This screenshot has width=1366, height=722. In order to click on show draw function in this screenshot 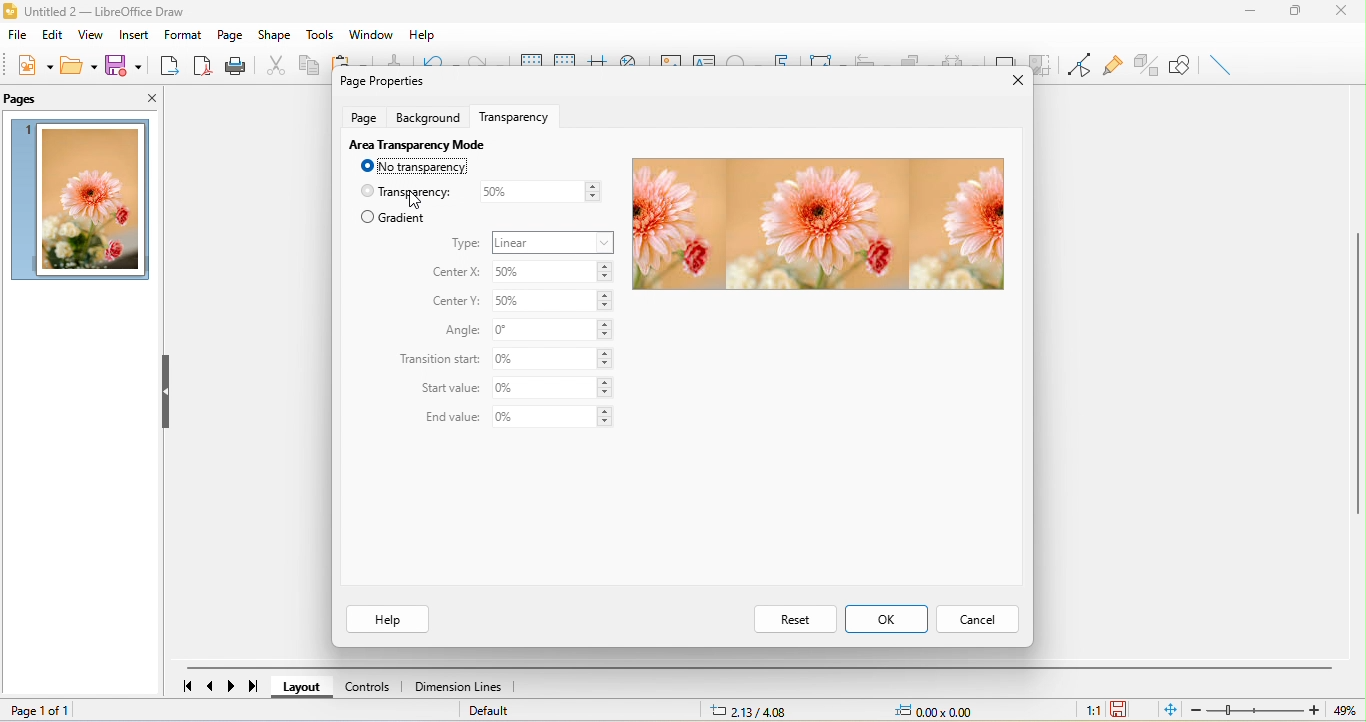, I will do `click(1181, 65)`.